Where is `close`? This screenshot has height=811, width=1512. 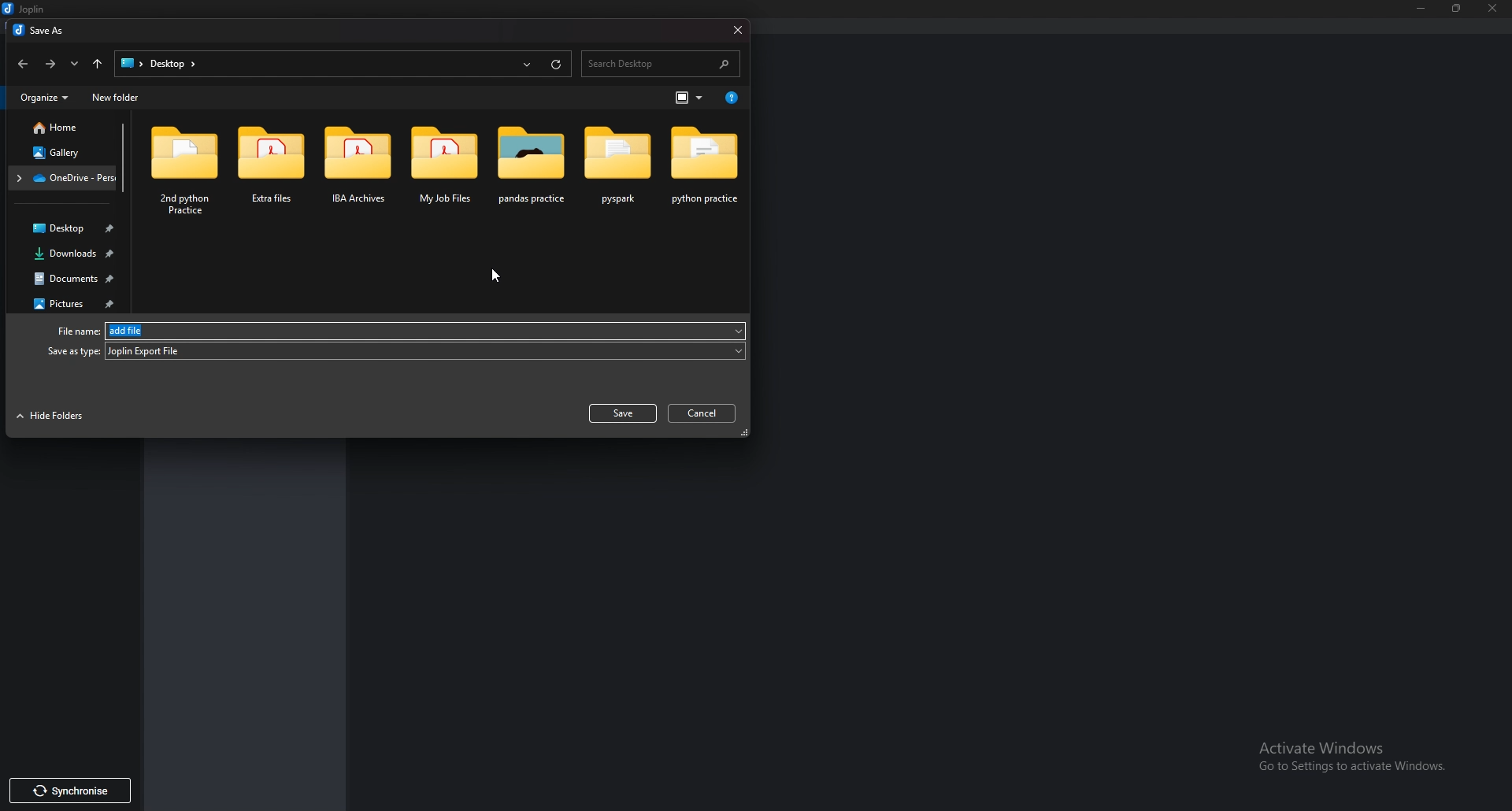
close is located at coordinates (736, 28).